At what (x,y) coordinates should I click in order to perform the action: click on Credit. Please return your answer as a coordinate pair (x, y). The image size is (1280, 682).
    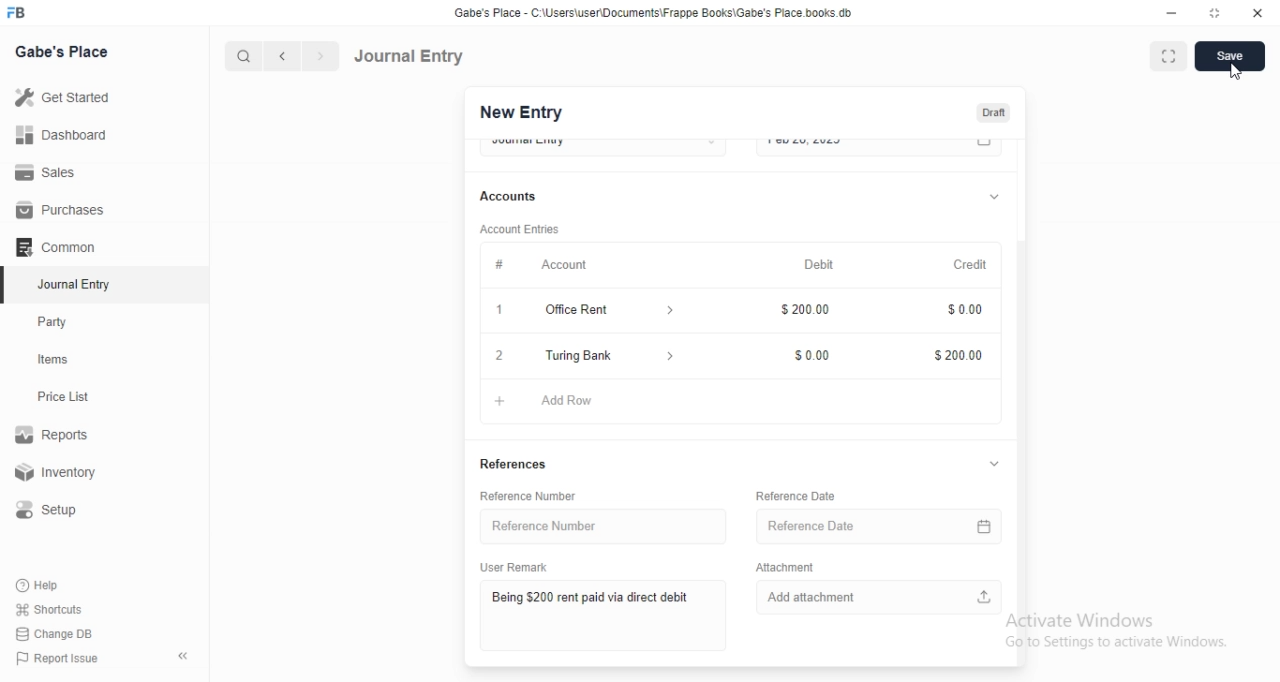
    Looking at the image, I should click on (970, 264).